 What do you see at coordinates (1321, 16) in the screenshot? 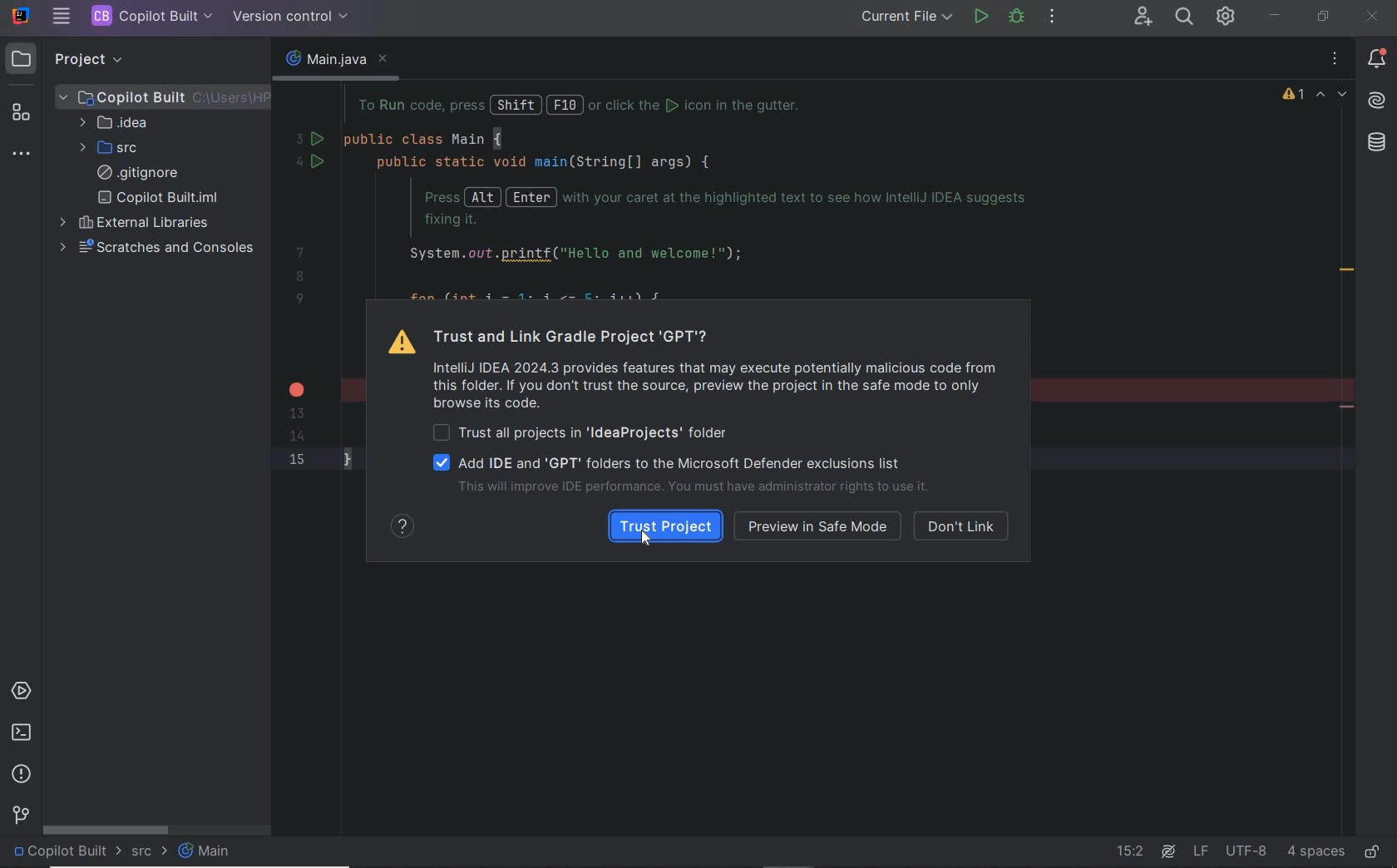
I see `restore down` at bounding box center [1321, 16].